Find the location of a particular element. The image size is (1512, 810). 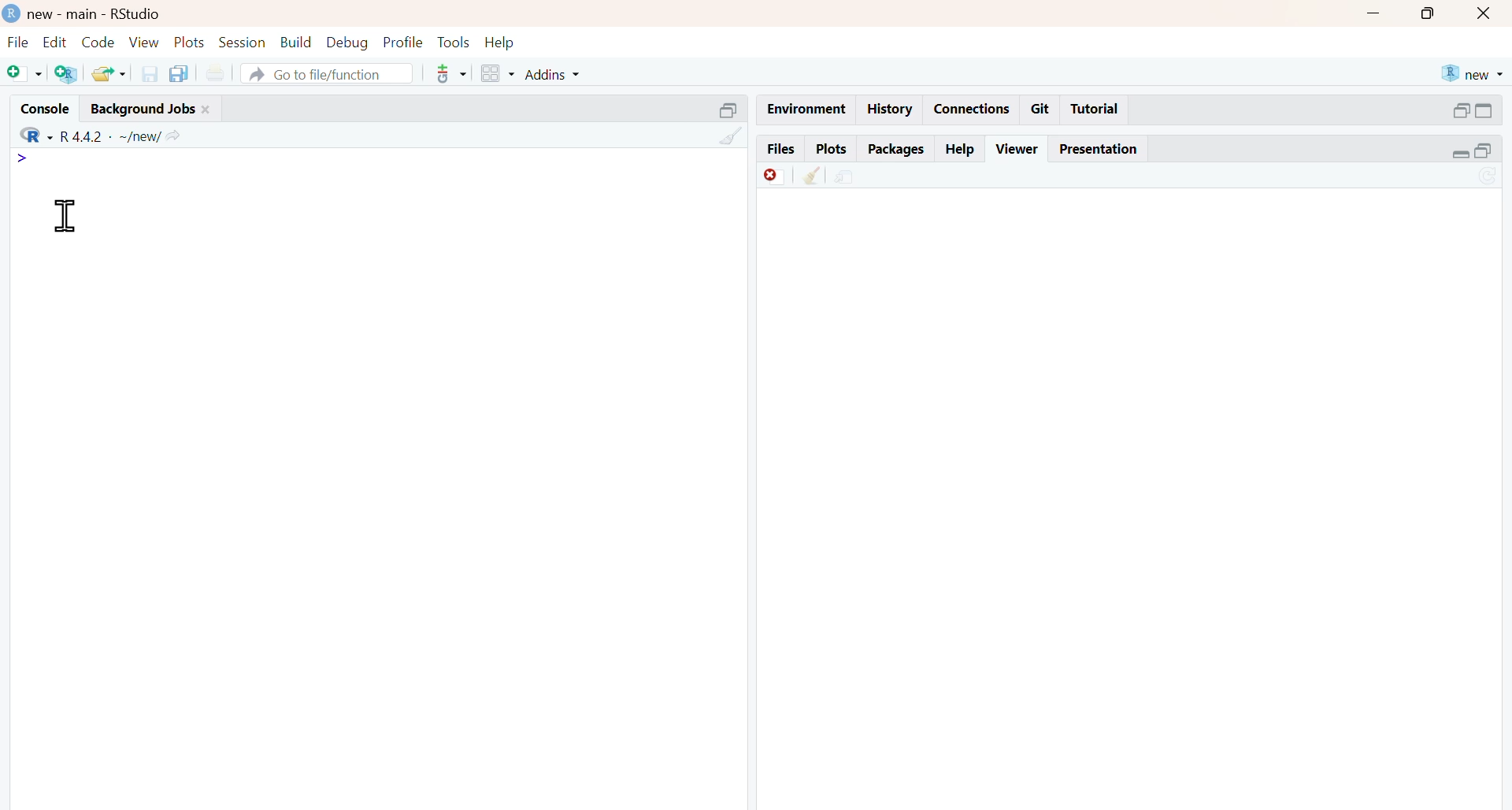

Tutorial  is located at coordinates (1095, 108).